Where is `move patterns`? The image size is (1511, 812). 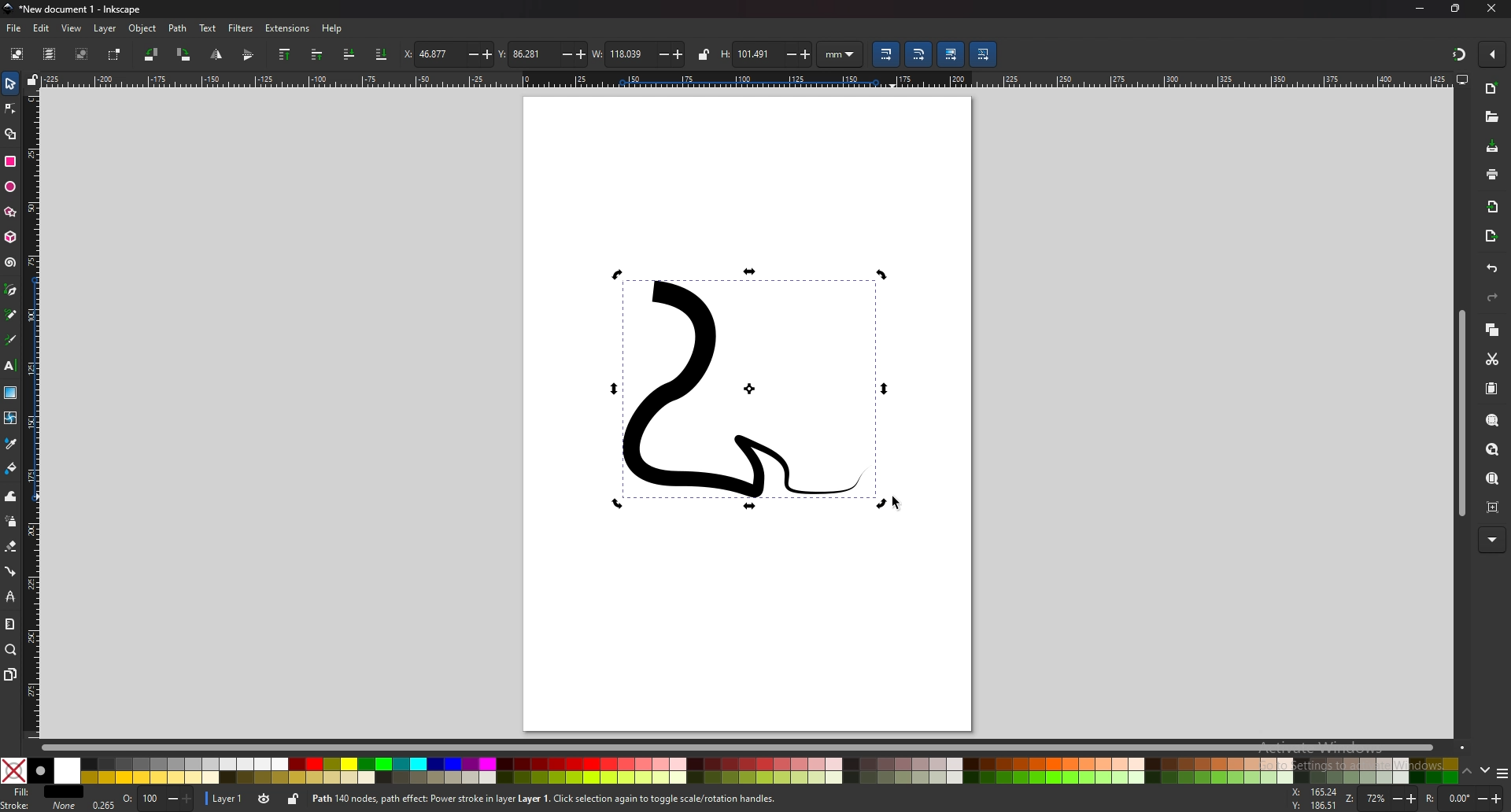 move patterns is located at coordinates (983, 54).